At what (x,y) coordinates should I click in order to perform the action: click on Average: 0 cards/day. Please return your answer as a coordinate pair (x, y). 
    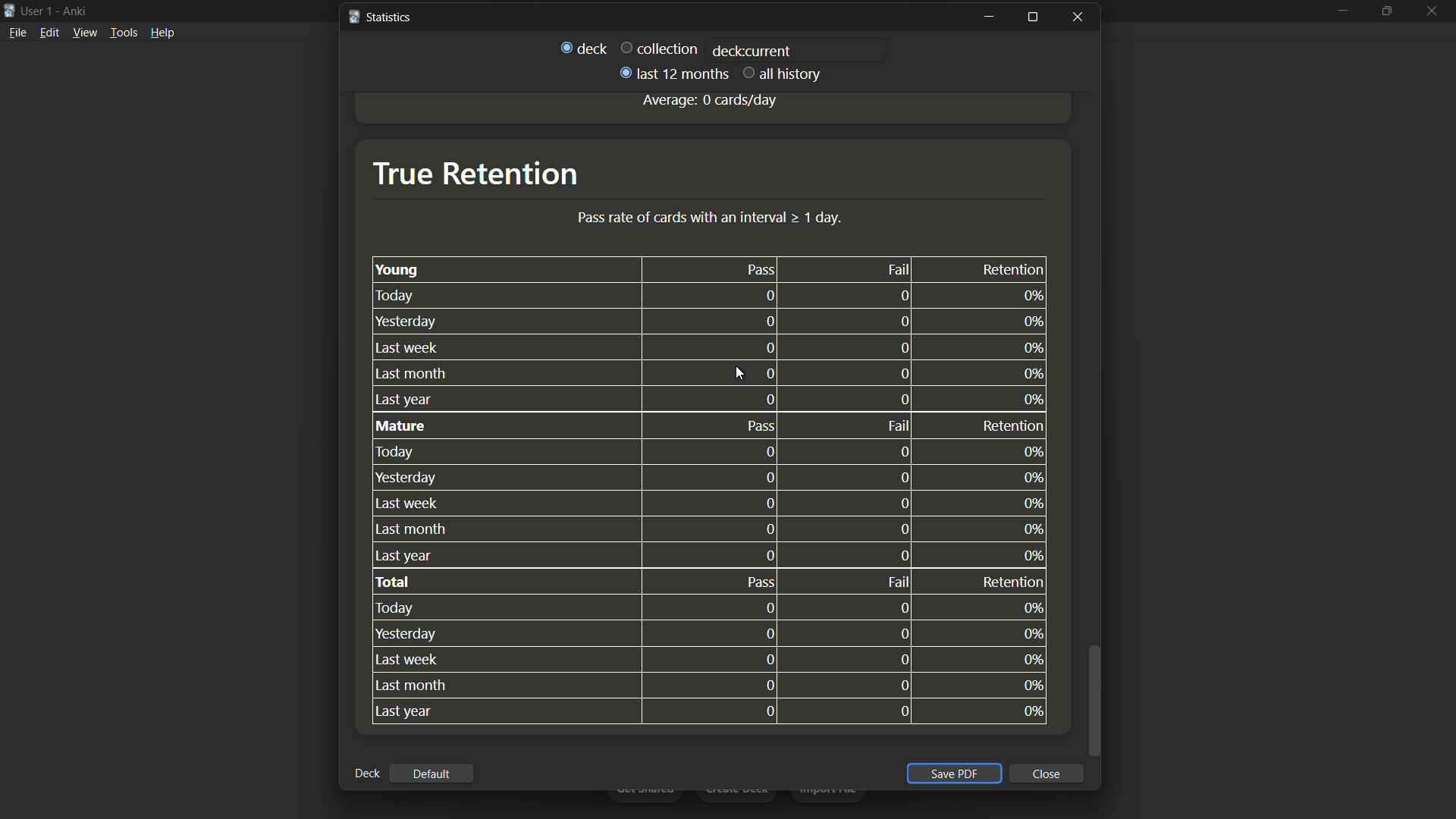
    Looking at the image, I should click on (709, 100).